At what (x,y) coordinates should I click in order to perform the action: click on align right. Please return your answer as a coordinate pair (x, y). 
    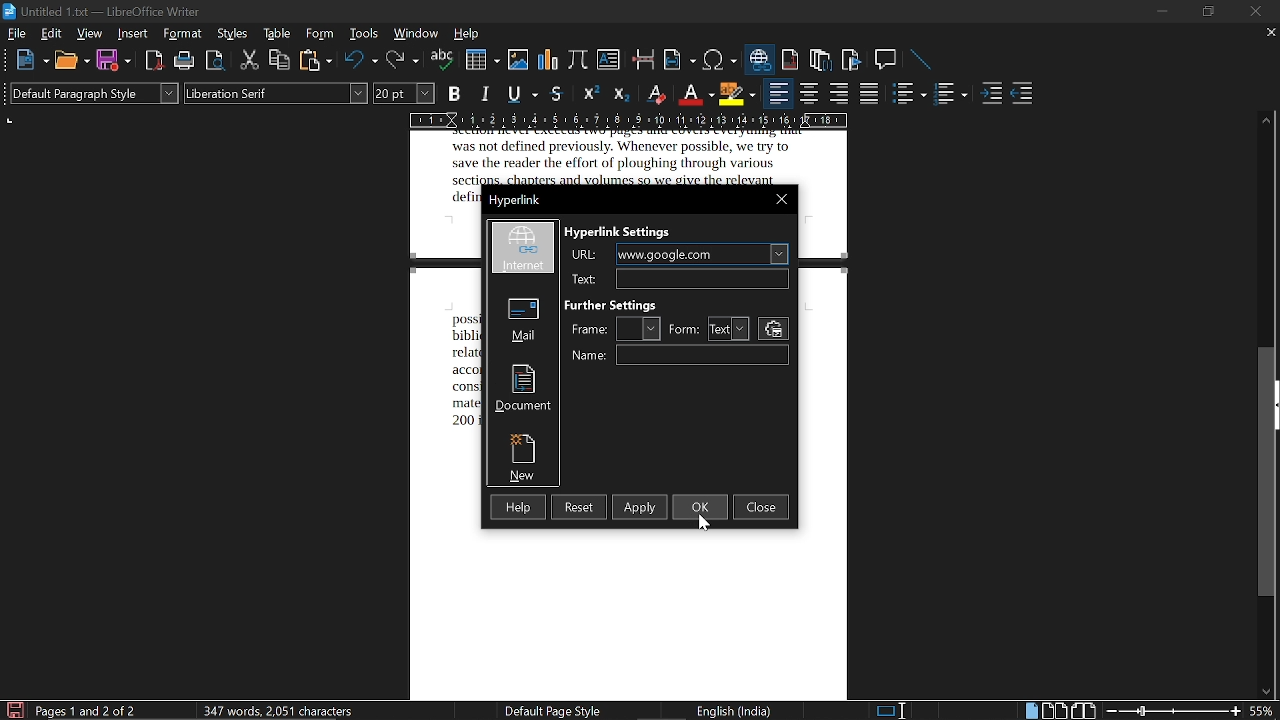
    Looking at the image, I should click on (839, 95).